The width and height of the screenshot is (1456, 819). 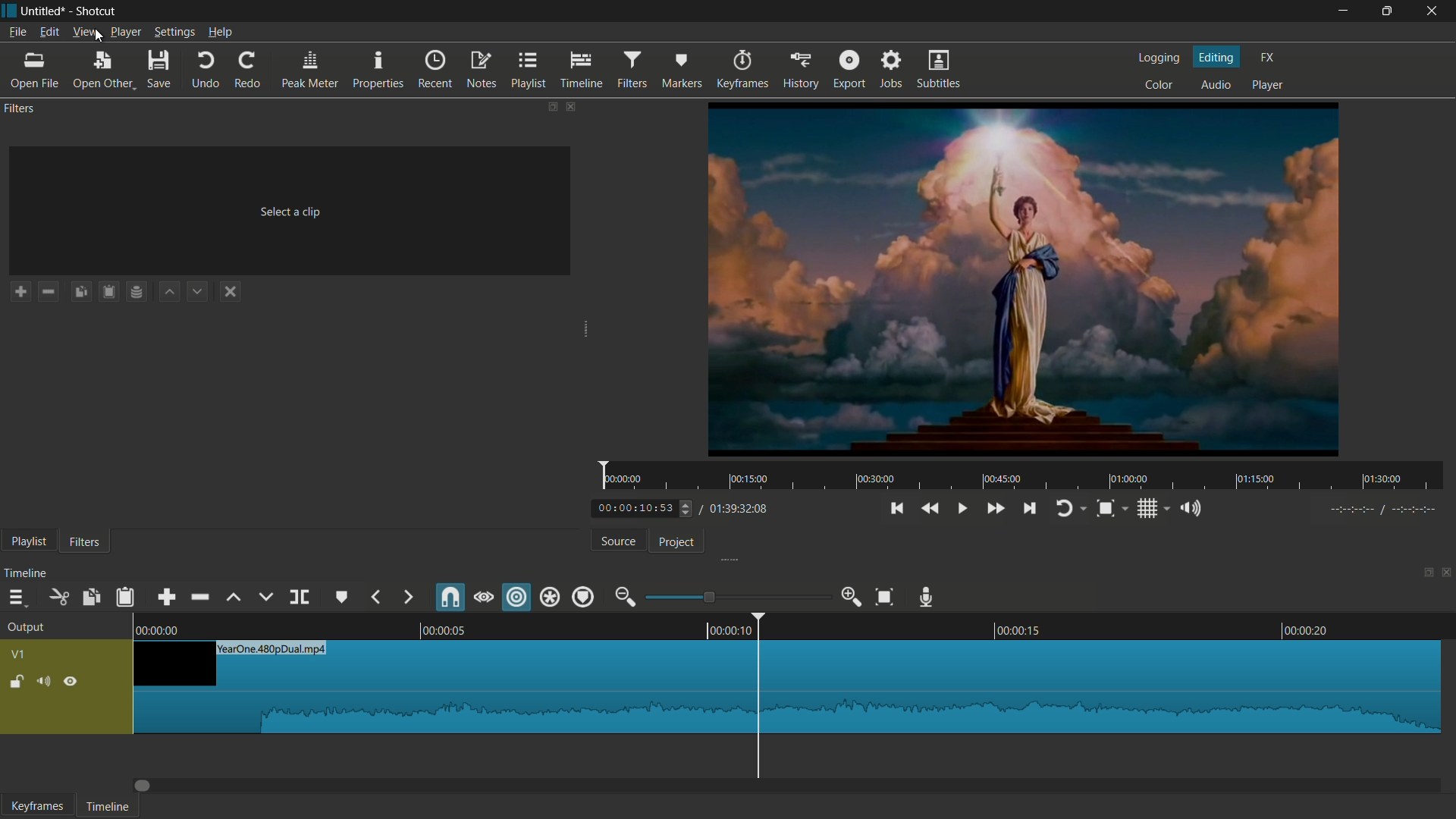 What do you see at coordinates (1106, 509) in the screenshot?
I see `toggle zoom` at bounding box center [1106, 509].